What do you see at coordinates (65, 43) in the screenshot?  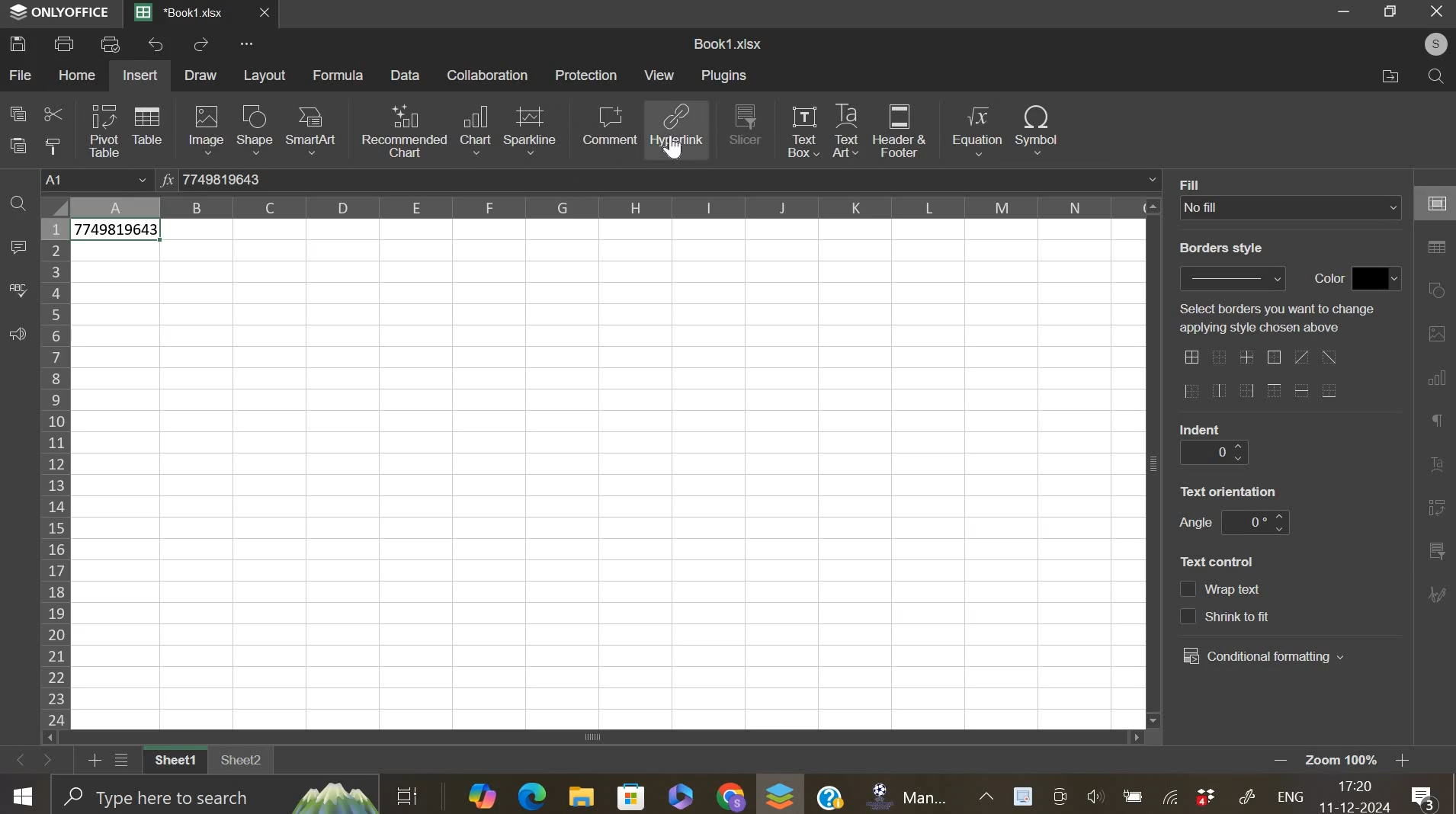 I see `print` at bounding box center [65, 43].